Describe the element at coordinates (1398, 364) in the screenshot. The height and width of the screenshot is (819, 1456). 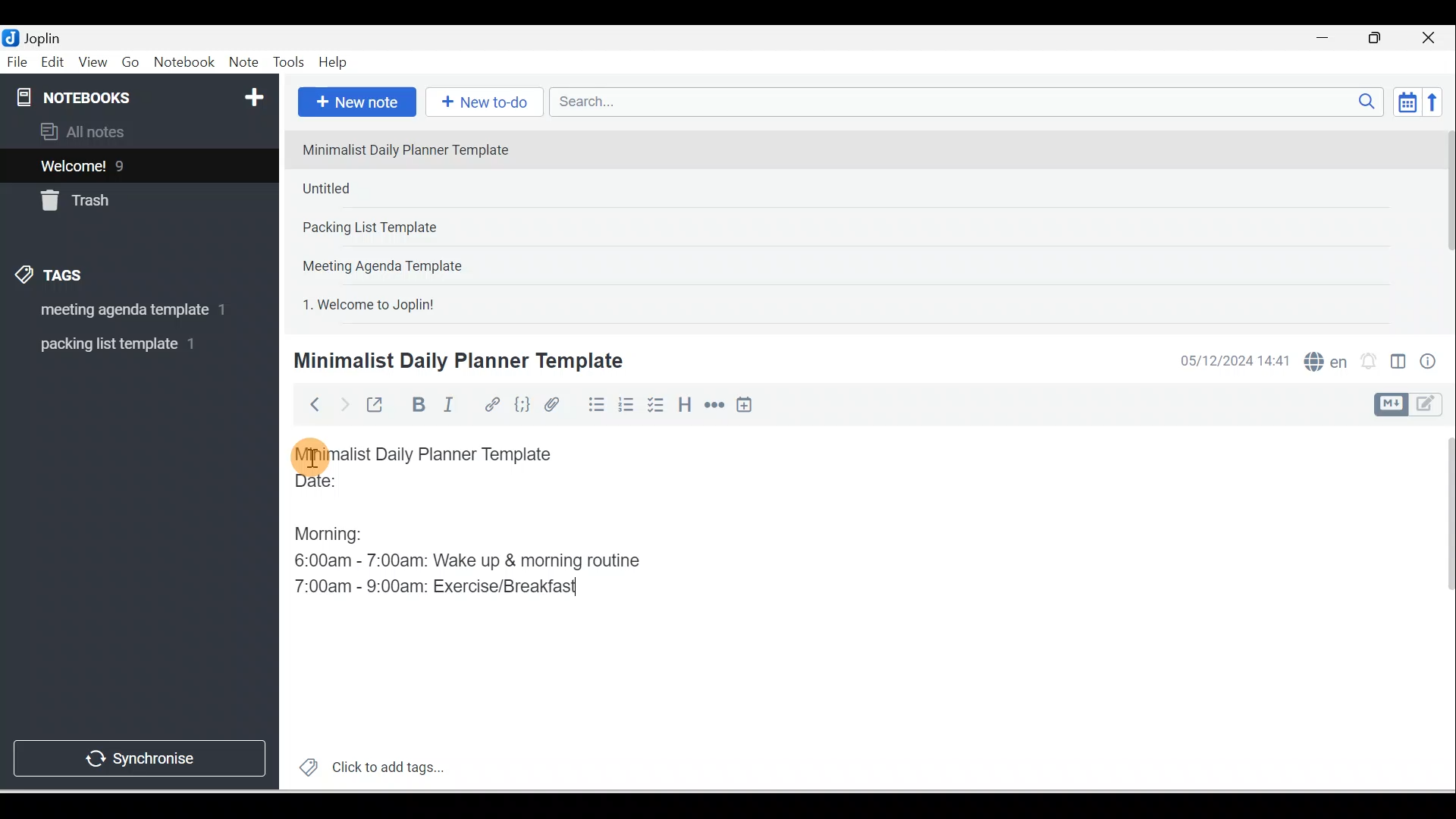
I see `Toggle editors` at that location.